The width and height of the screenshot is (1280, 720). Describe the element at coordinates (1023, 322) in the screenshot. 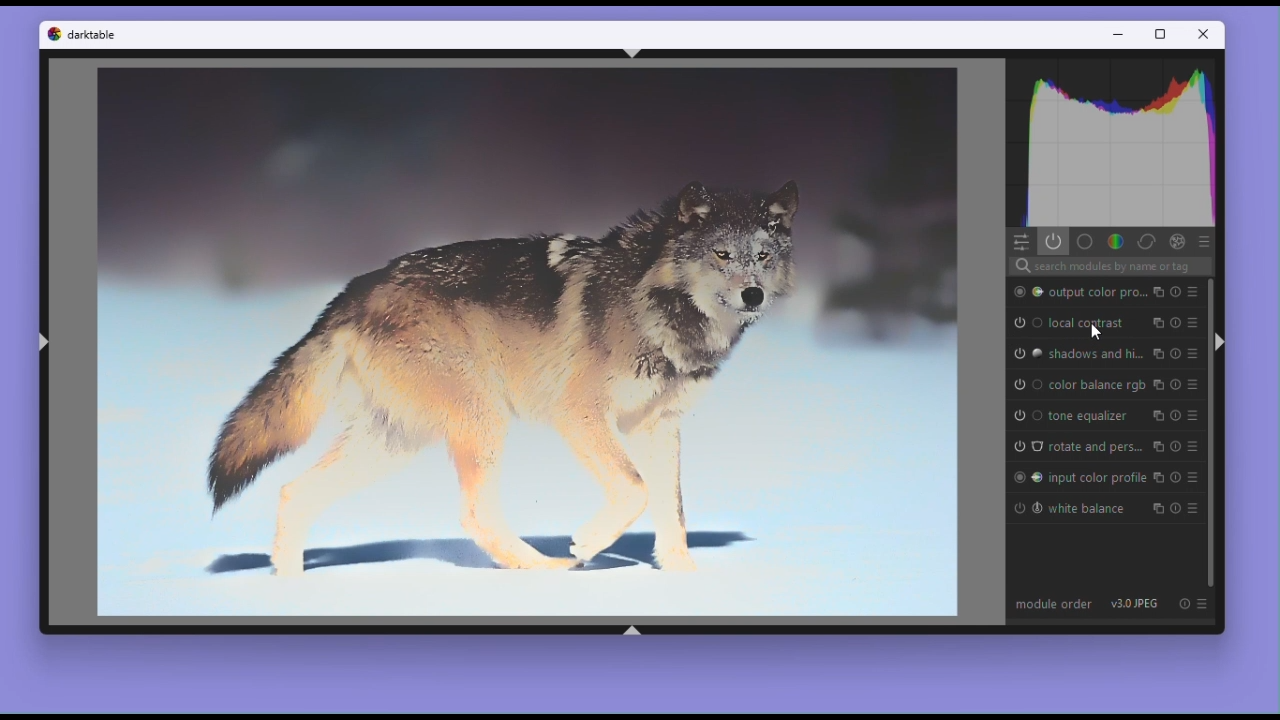

I see `'Local contrast' is switched off` at that location.